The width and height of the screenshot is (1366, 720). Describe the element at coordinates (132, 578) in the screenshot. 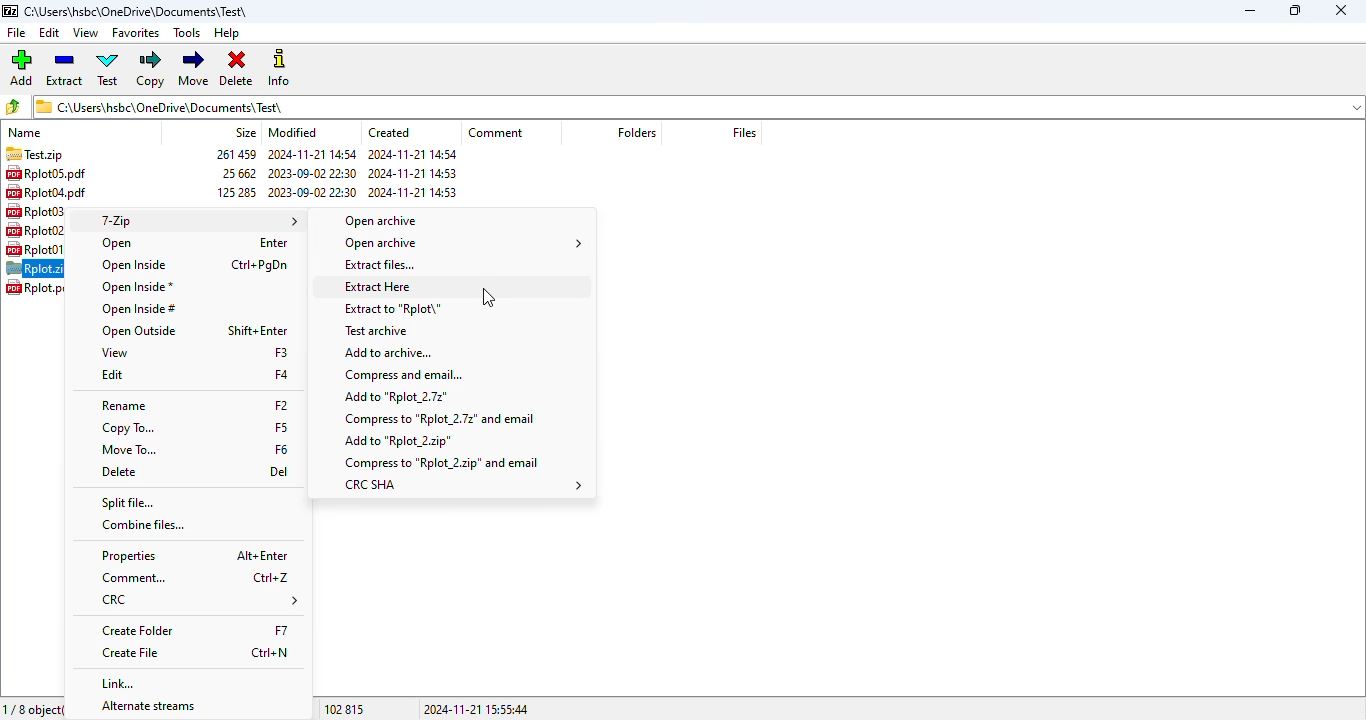

I see `comment` at that location.